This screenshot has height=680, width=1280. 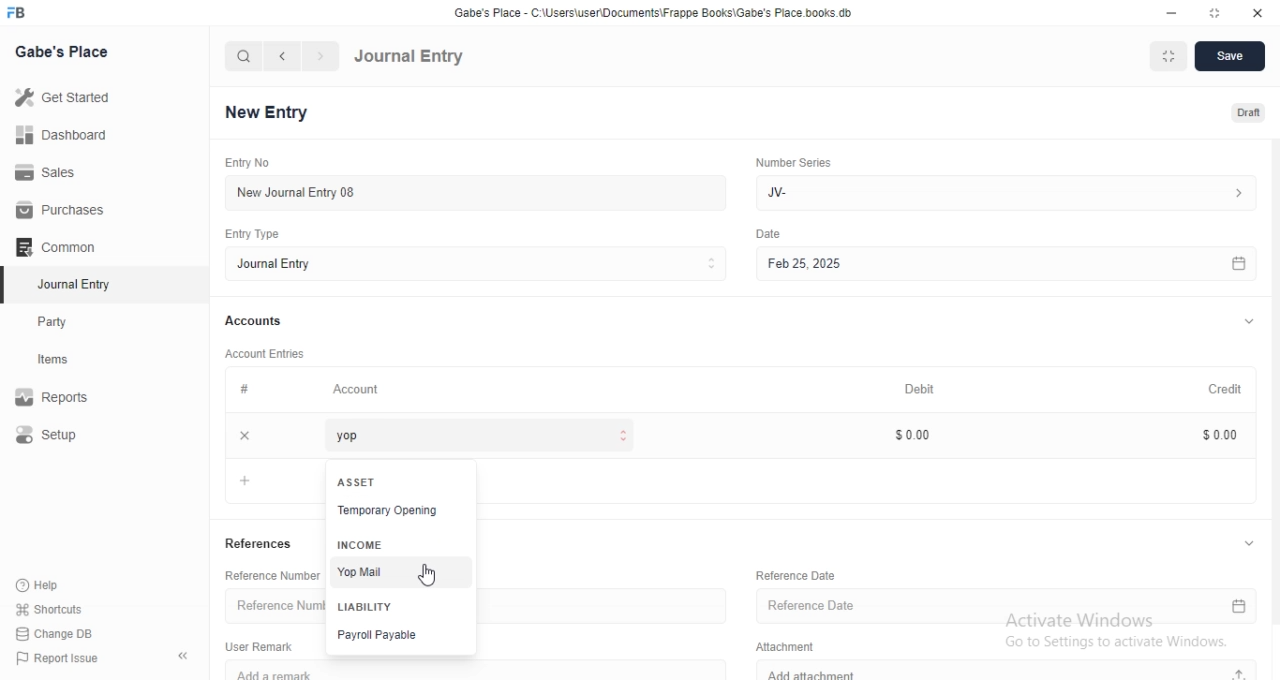 I want to click on Reference Date, so click(x=793, y=574).